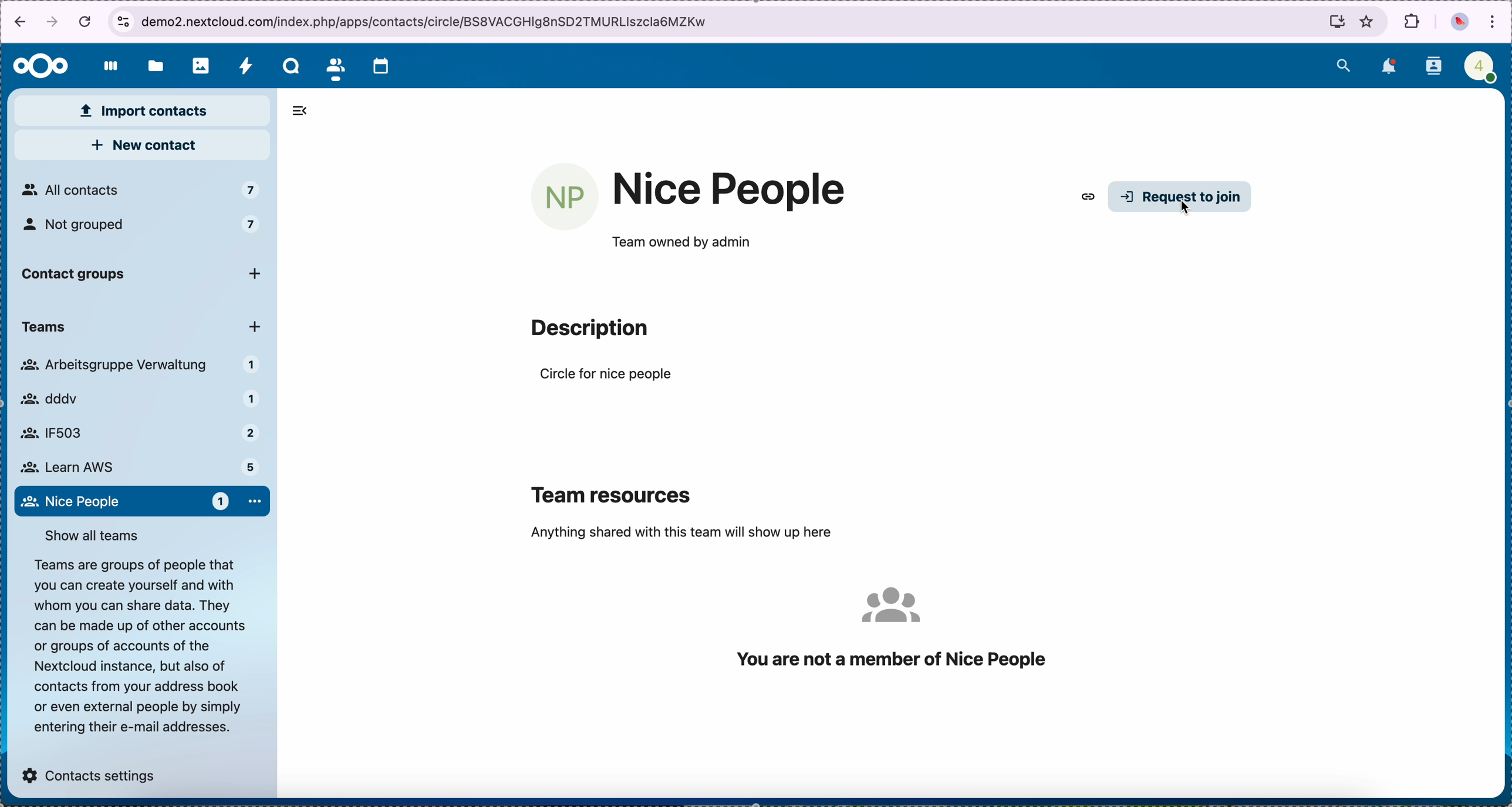 The height and width of the screenshot is (807, 1512). I want to click on you are not a member of Nice People, so click(891, 627).